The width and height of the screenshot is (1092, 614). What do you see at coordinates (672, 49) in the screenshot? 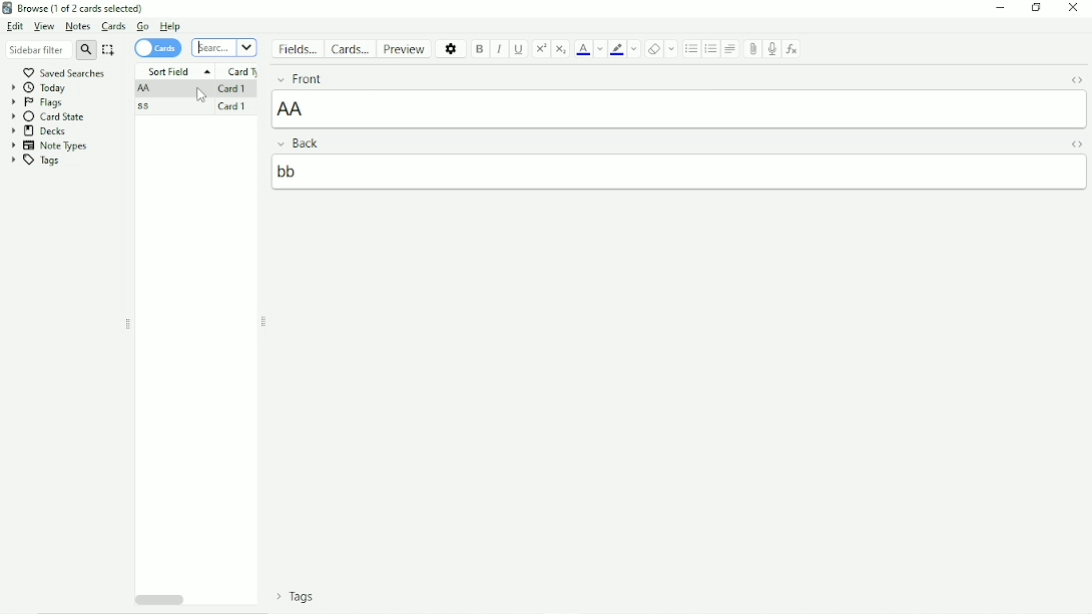
I see `Select formatting to remove` at bounding box center [672, 49].